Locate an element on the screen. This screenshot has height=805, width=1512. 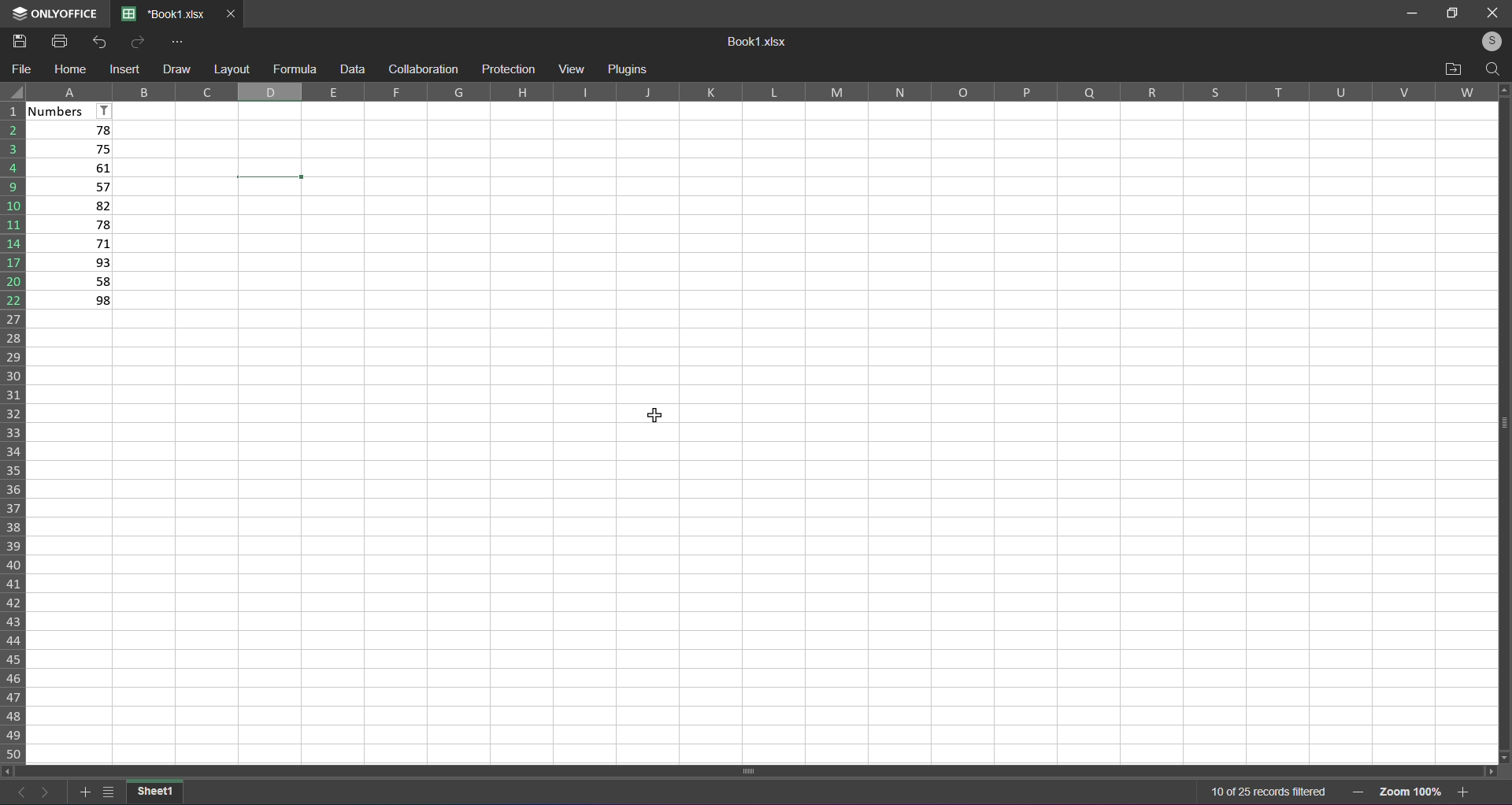
next is located at coordinates (46, 791).